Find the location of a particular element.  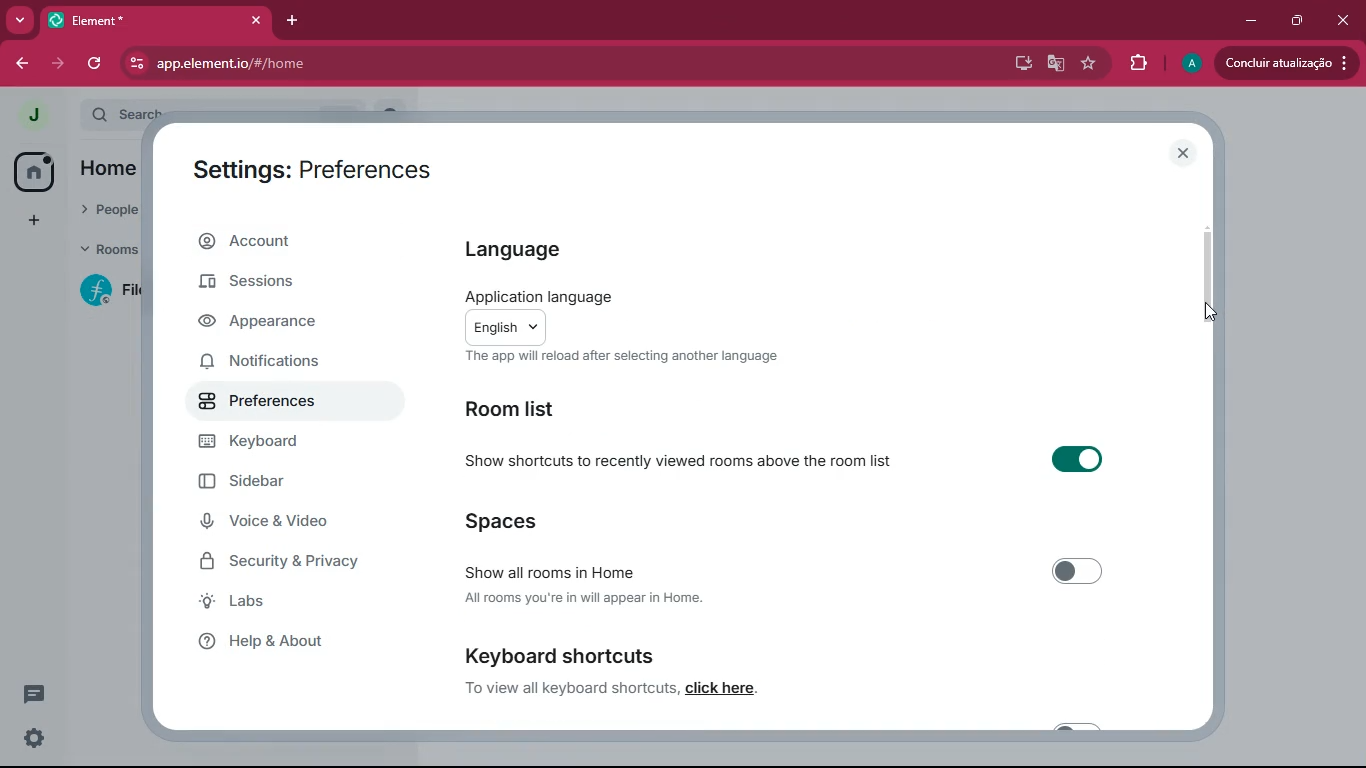

‘All rooms you're in will appear in Home. is located at coordinates (588, 599).